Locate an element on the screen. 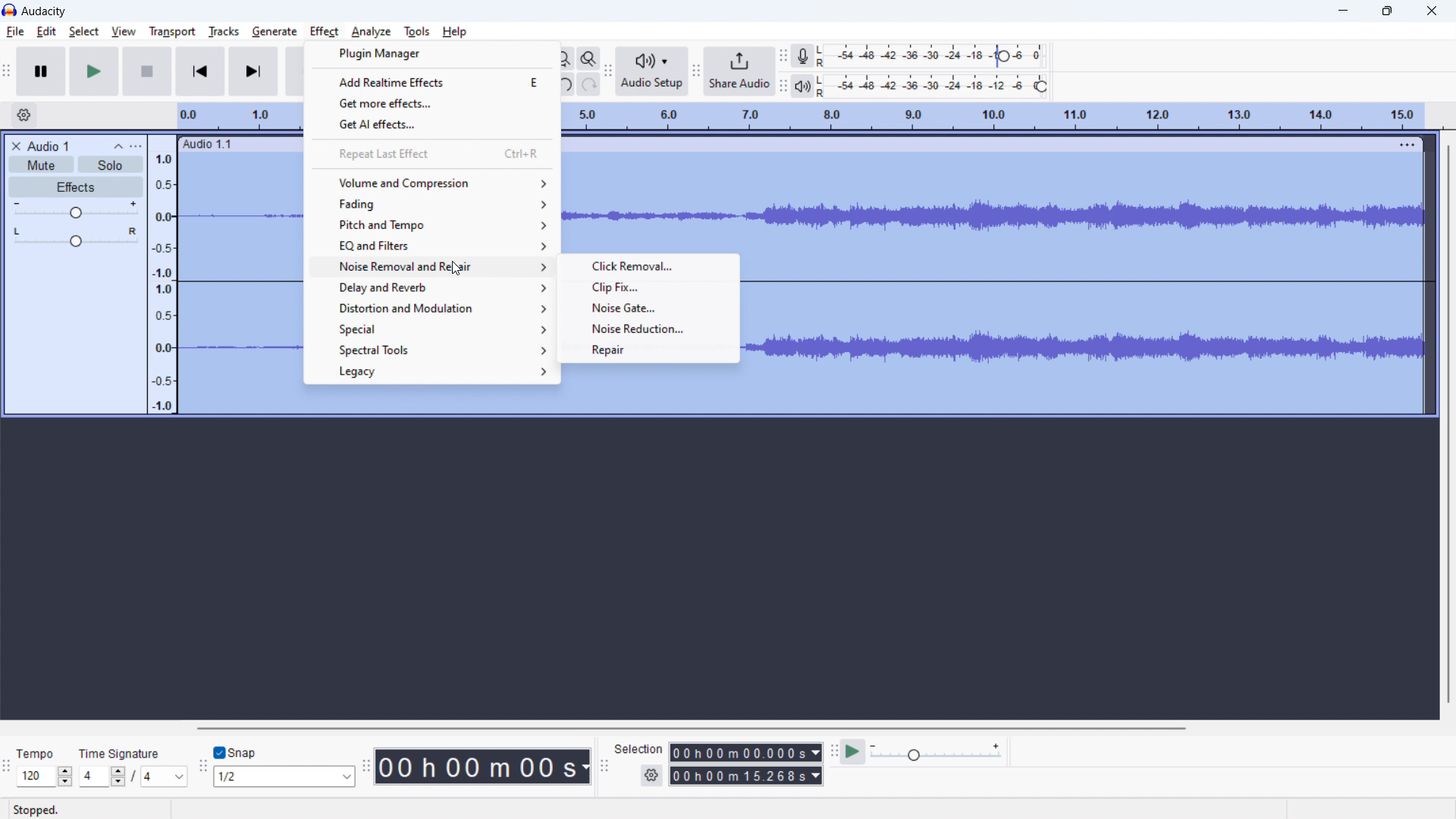 This screenshot has width=1456, height=819. edit is located at coordinates (47, 32).